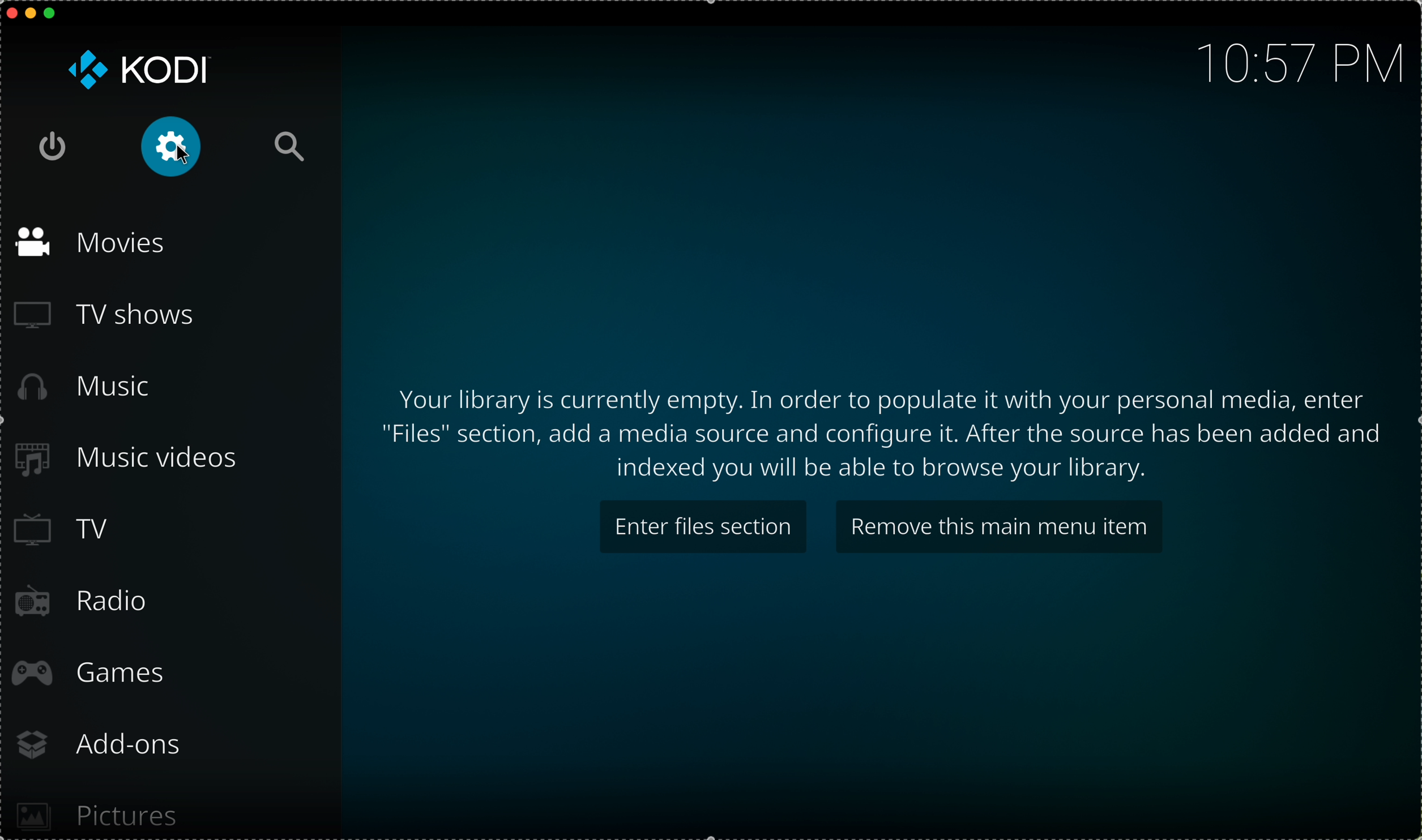 The image size is (1422, 840). What do you see at coordinates (106, 744) in the screenshot?
I see `add-ons` at bounding box center [106, 744].